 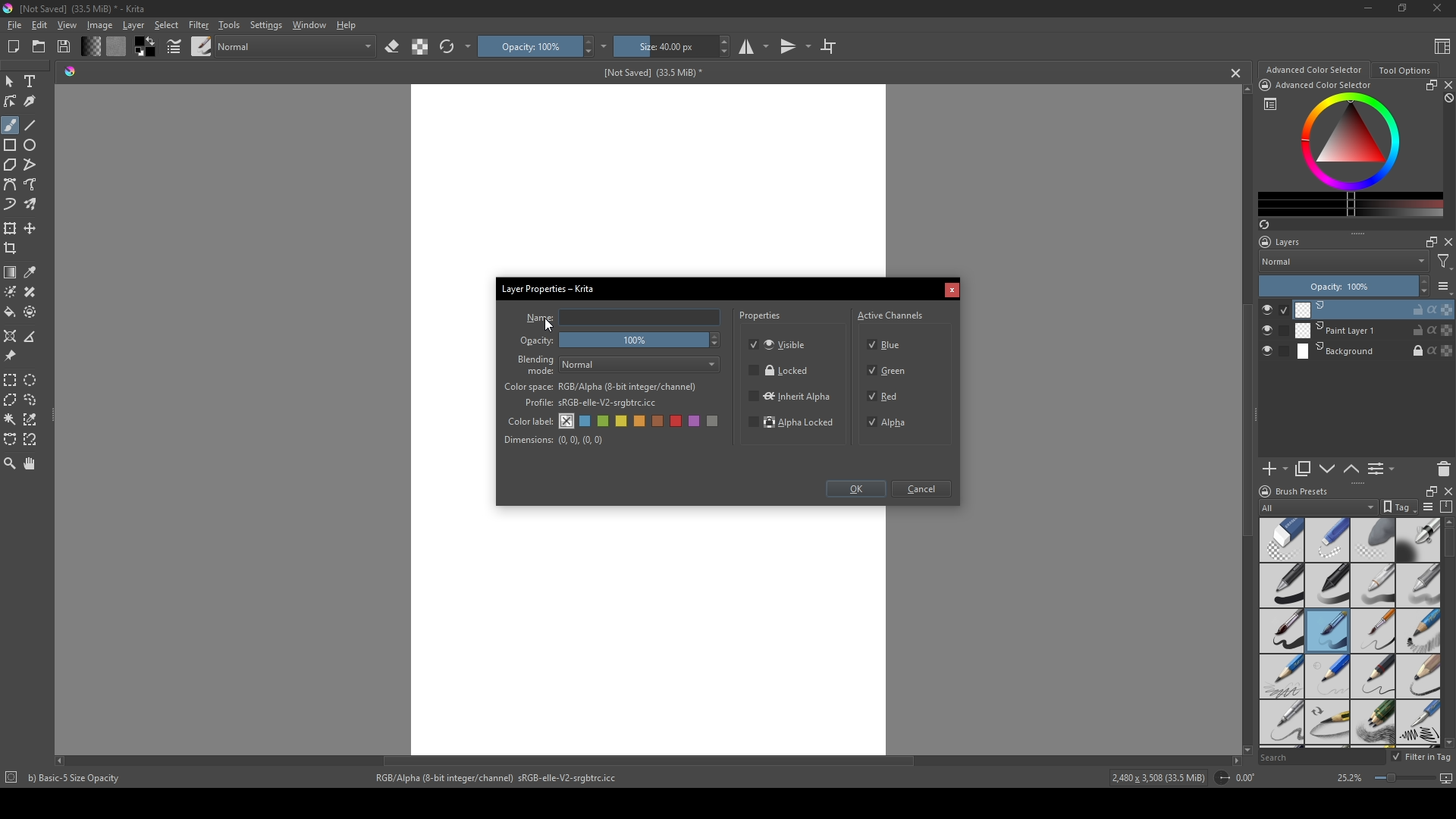 What do you see at coordinates (1428, 241) in the screenshot?
I see `maximize` at bounding box center [1428, 241].